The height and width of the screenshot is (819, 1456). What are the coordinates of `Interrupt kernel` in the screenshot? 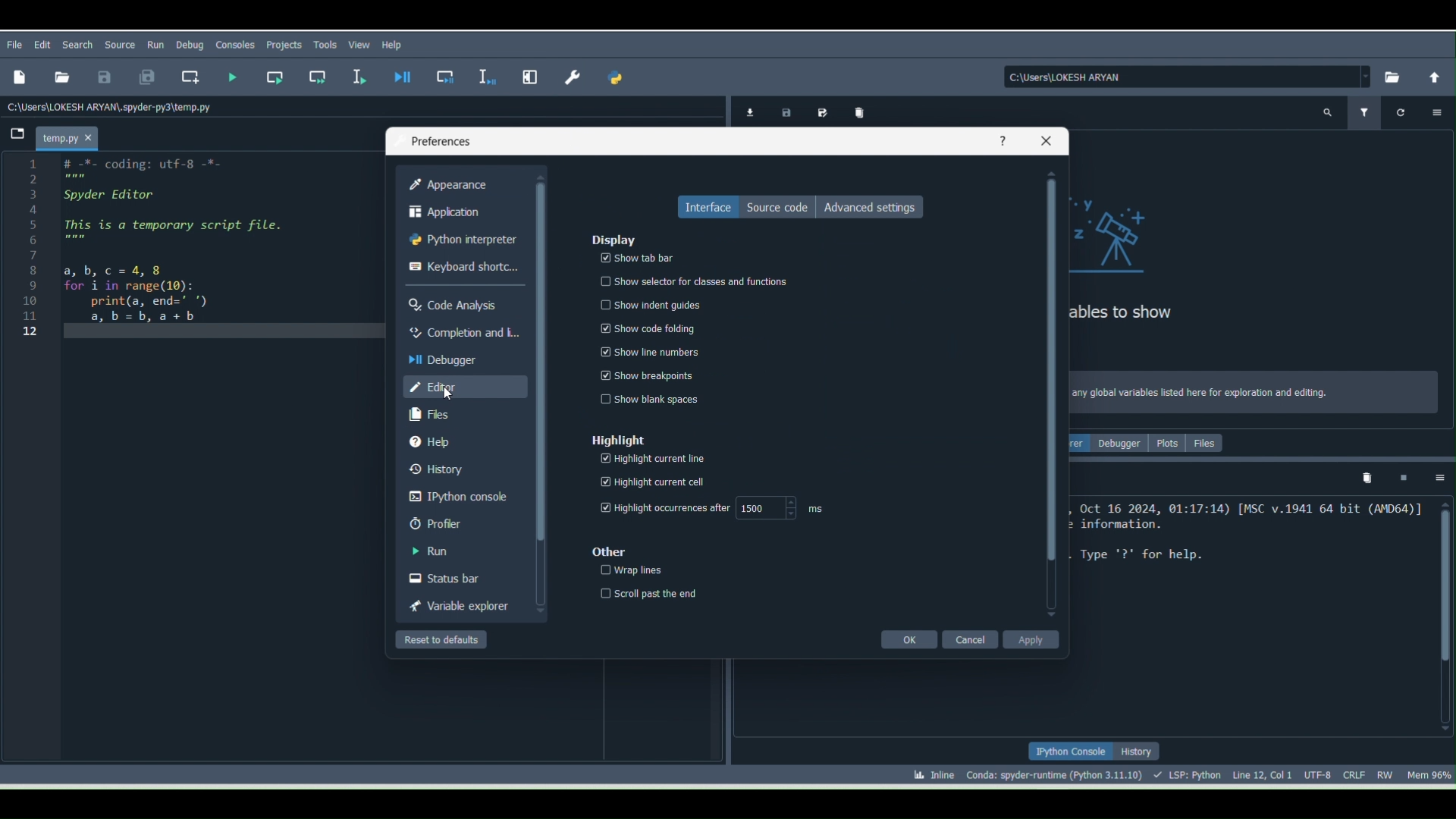 It's located at (1402, 477).